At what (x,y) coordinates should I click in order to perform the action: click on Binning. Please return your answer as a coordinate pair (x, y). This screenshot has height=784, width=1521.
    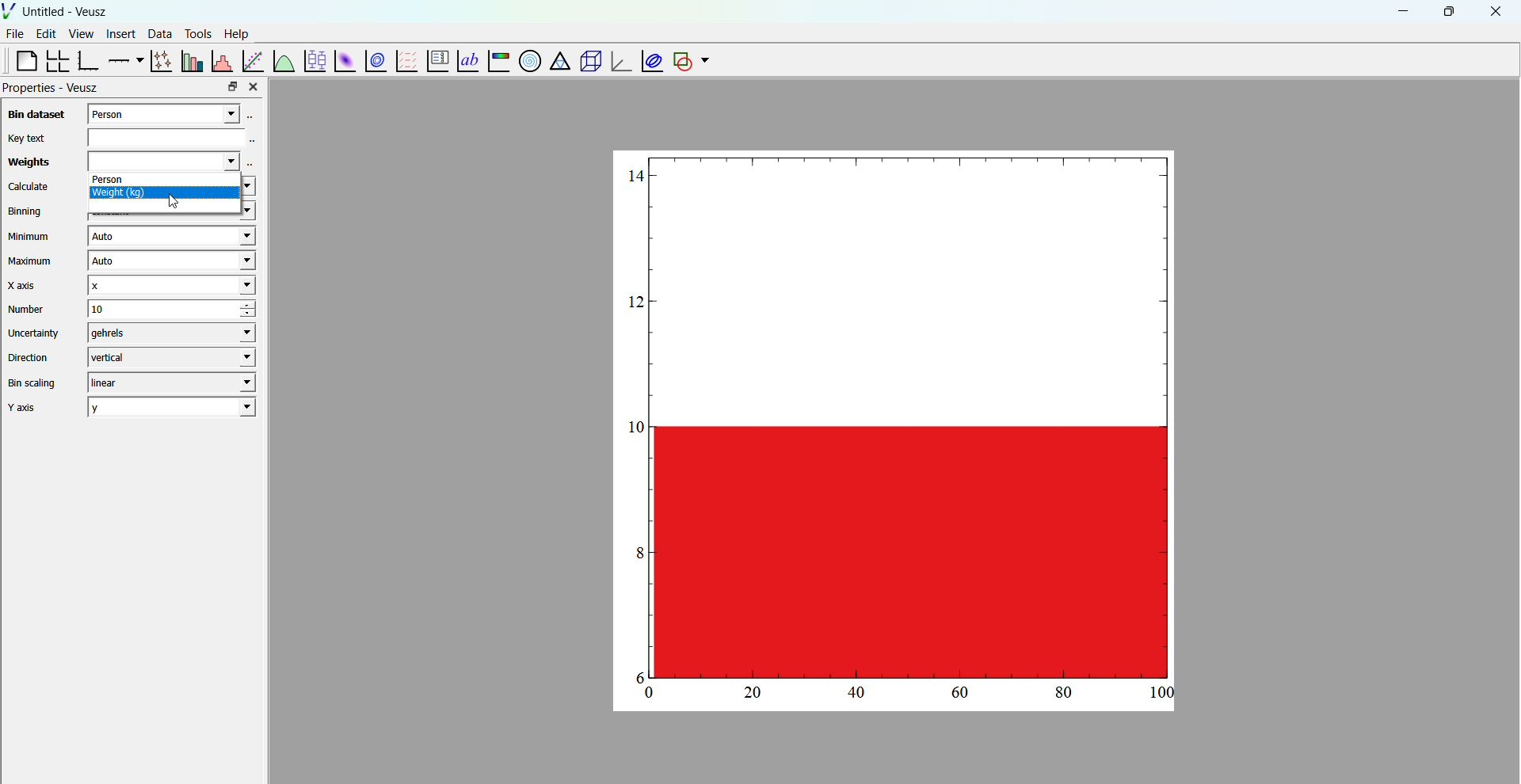
    Looking at the image, I should click on (28, 211).